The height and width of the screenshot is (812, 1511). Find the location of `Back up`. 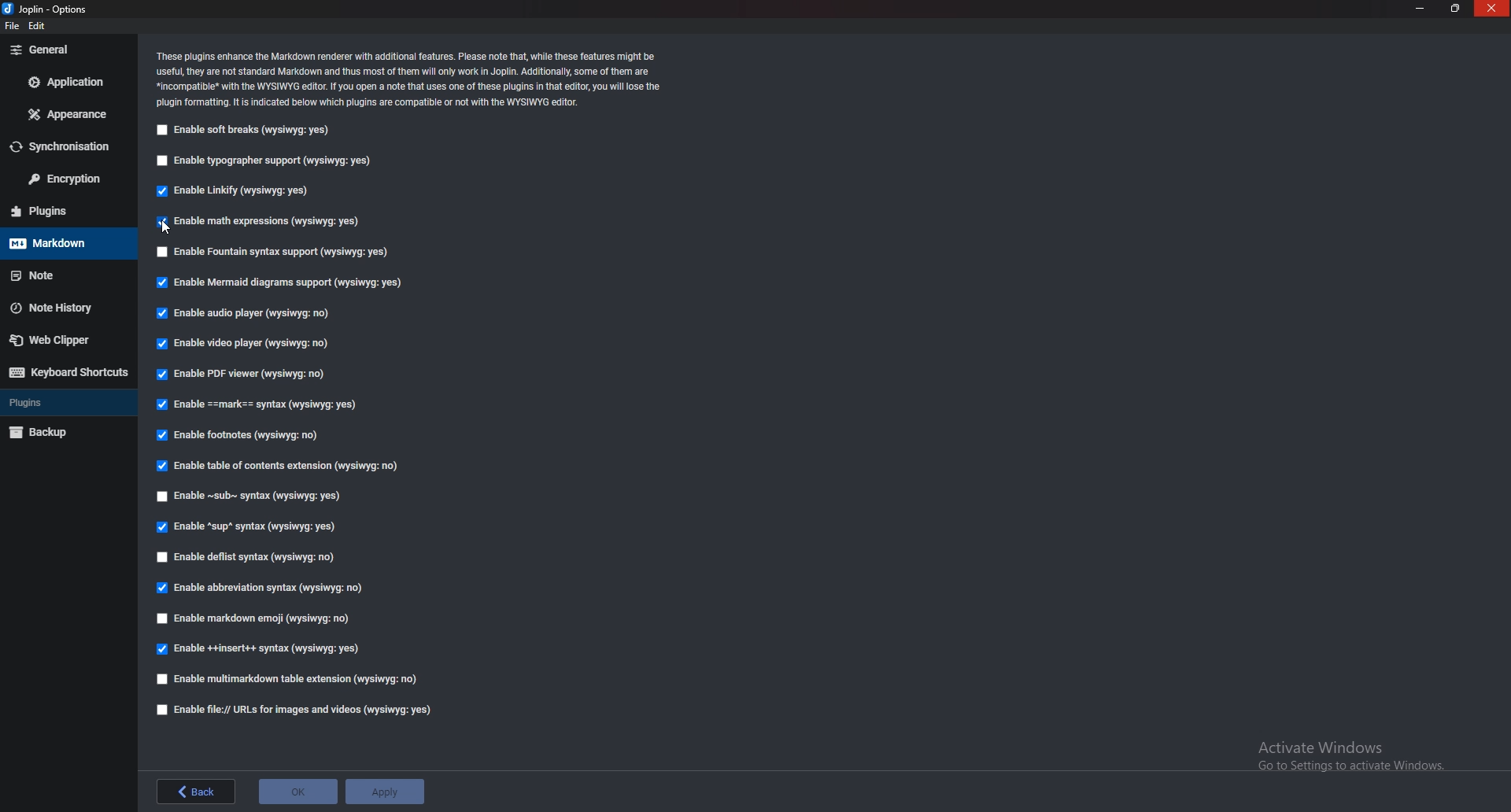

Back up is located at coordinates (61, 434).